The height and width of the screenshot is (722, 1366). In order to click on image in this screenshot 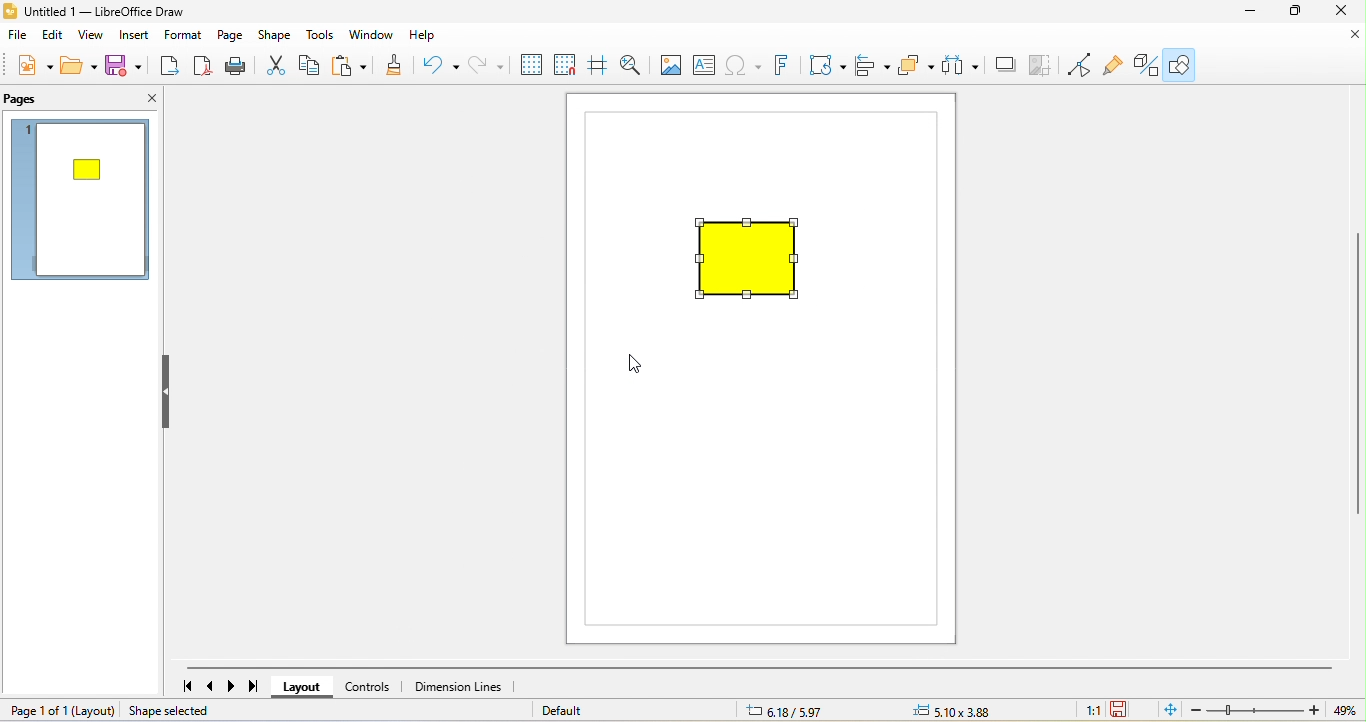, I will do `click(668, 66)`.